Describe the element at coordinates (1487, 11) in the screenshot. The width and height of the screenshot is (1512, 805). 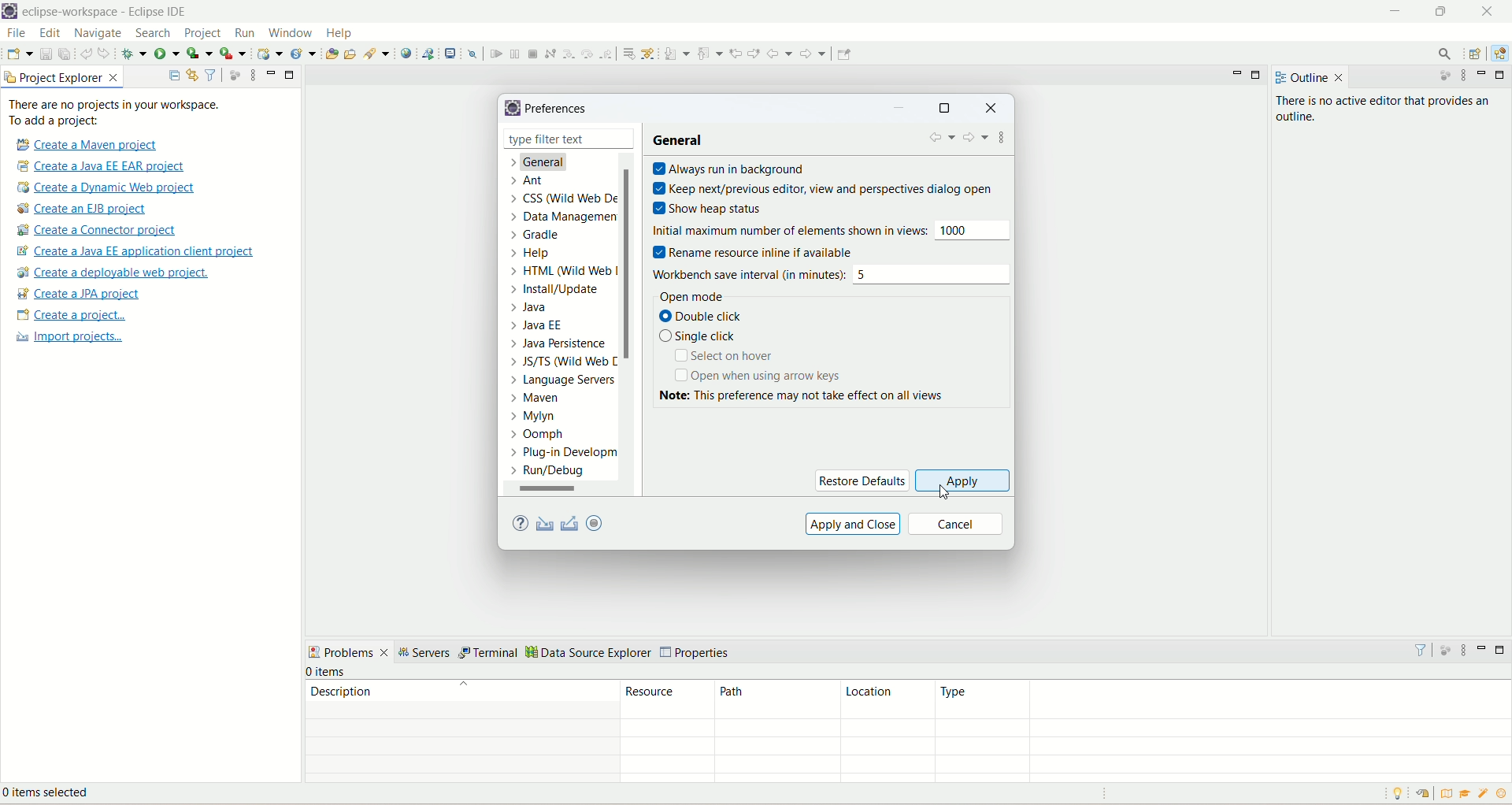
I see `close` at that location.